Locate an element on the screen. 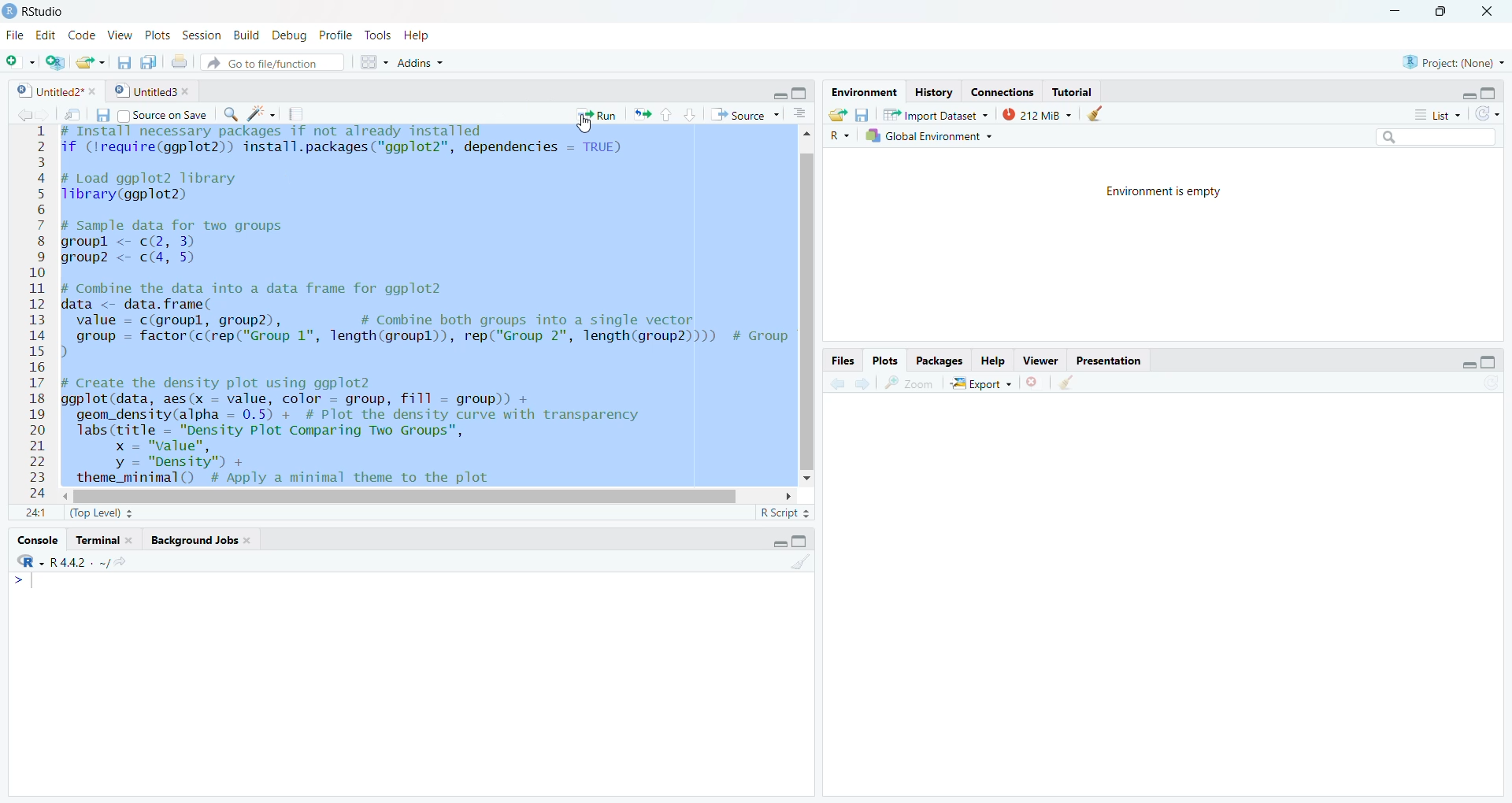  save current documents is located at coordinates (123, 64).